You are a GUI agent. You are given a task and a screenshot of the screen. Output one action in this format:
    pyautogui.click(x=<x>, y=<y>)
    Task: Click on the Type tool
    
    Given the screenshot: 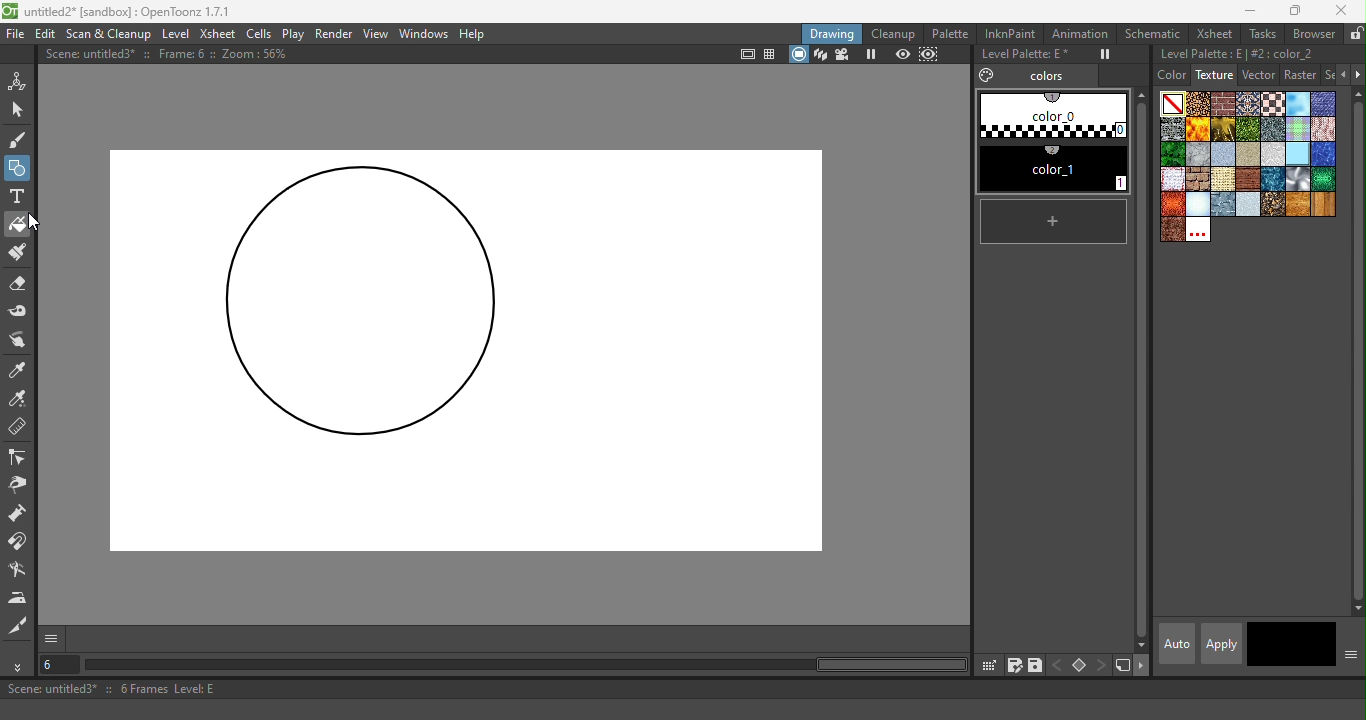 What is the action you would take?
    pyautogui.click(x=22, y=196)
    